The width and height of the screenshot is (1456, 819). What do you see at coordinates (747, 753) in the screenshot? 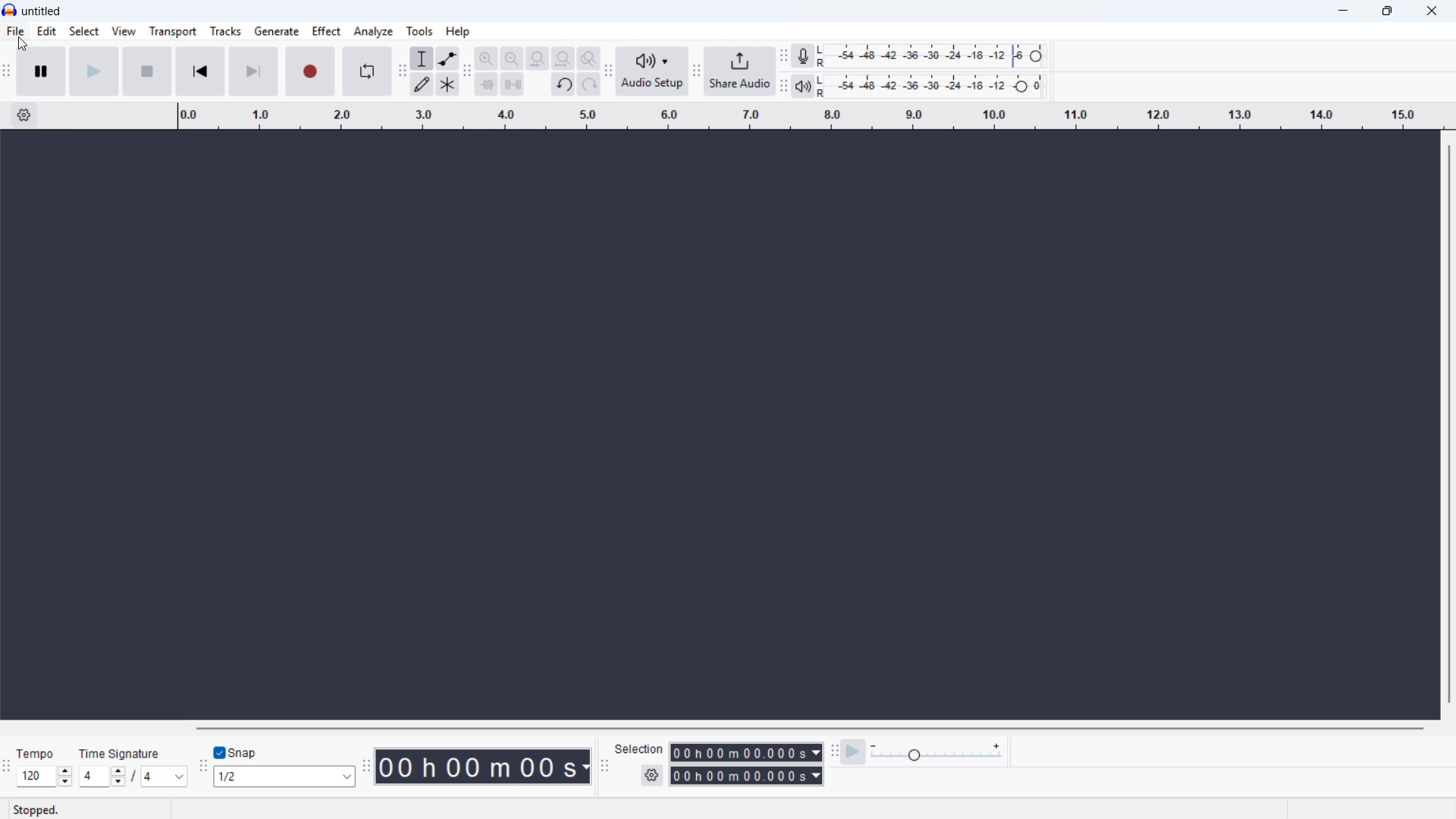
I see `Selection start time ` at bounding box center [747, 753].